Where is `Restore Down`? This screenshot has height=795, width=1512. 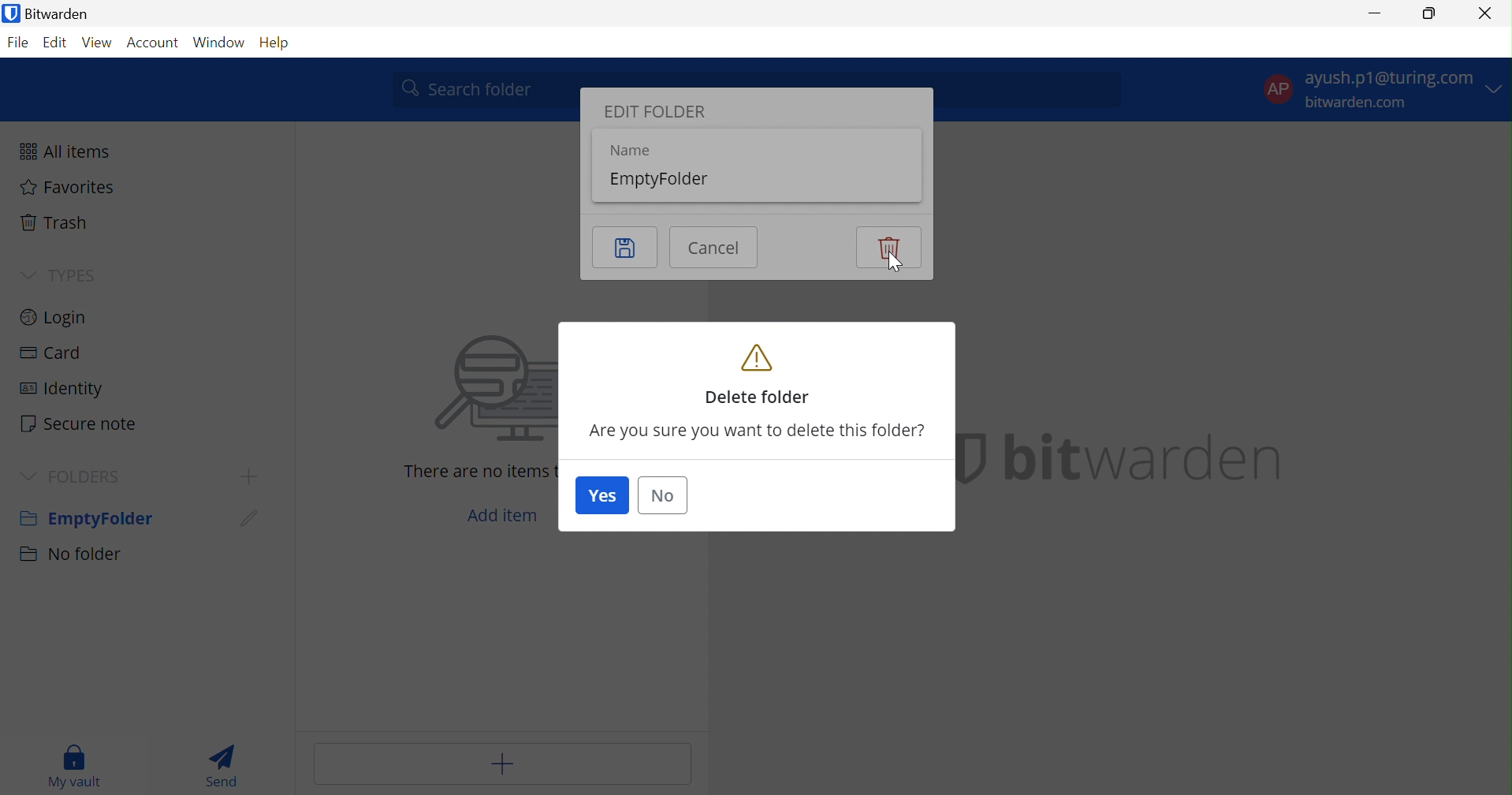 Restore Down is located at coordinates (1430, 11).